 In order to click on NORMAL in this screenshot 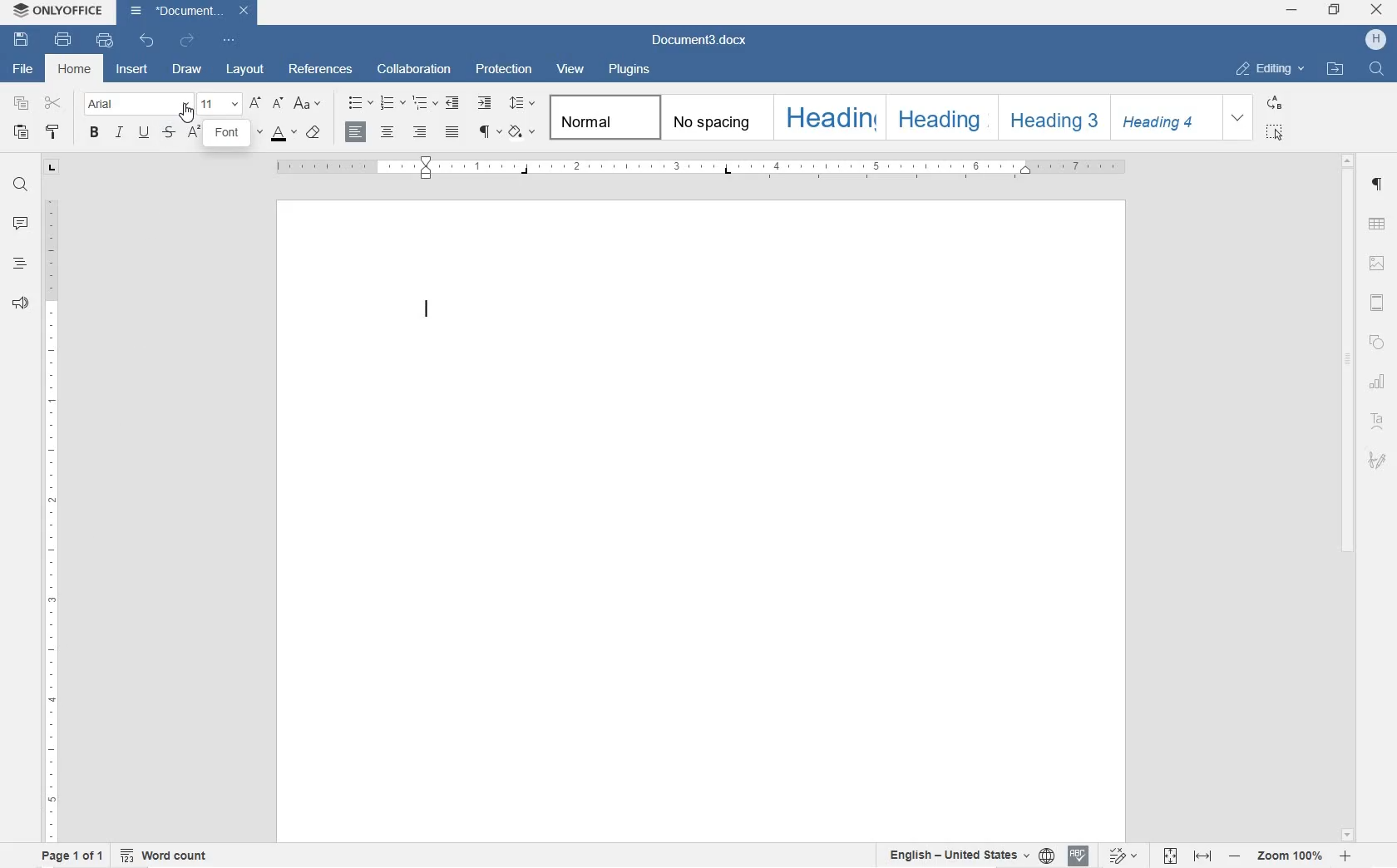, I will do `click(602, 116)`.